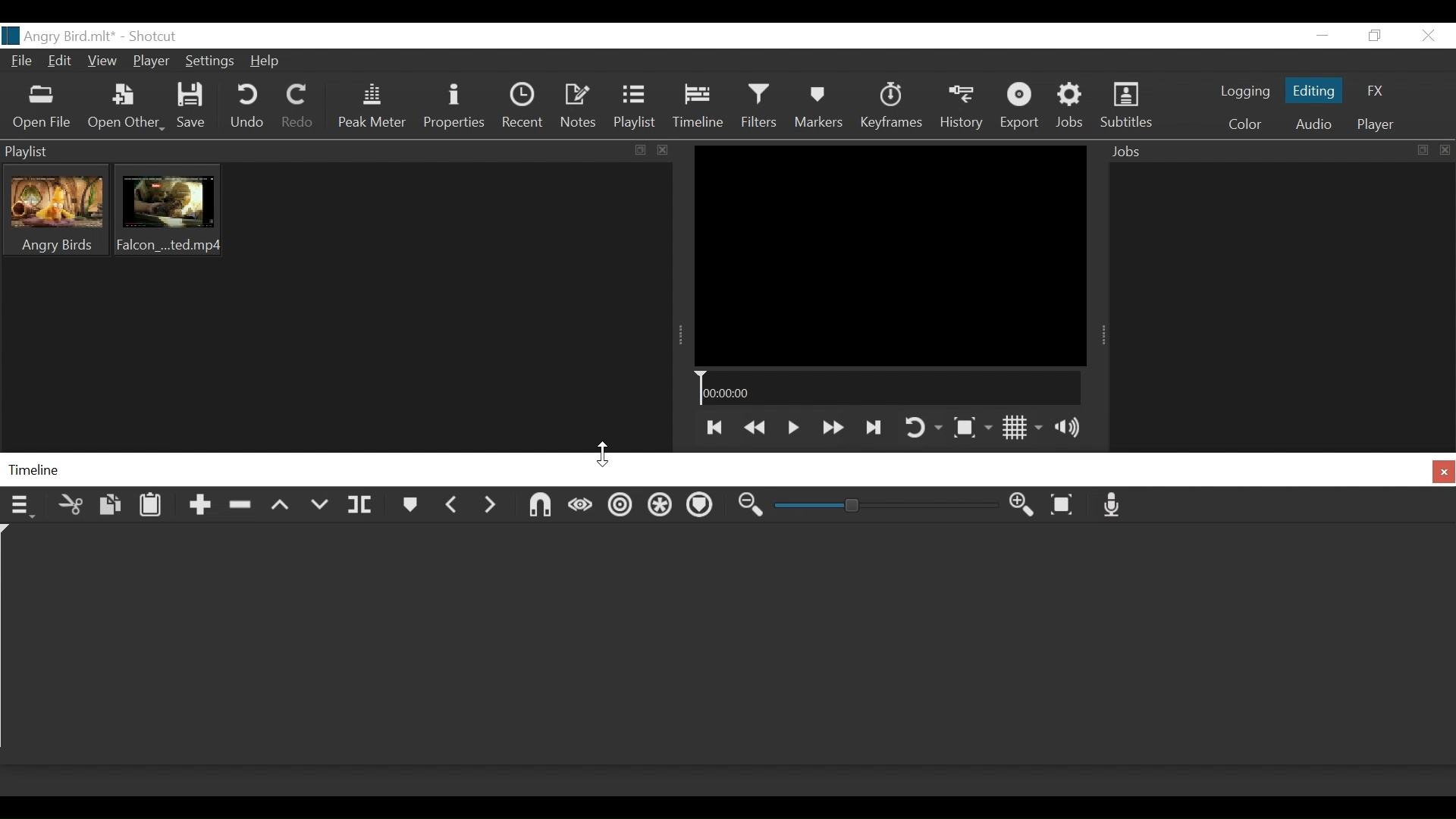 This screenshot has height=819, width=1456. Describe the element at coordinates (541, 507) in the screenshot. I see `Snap` at that location.